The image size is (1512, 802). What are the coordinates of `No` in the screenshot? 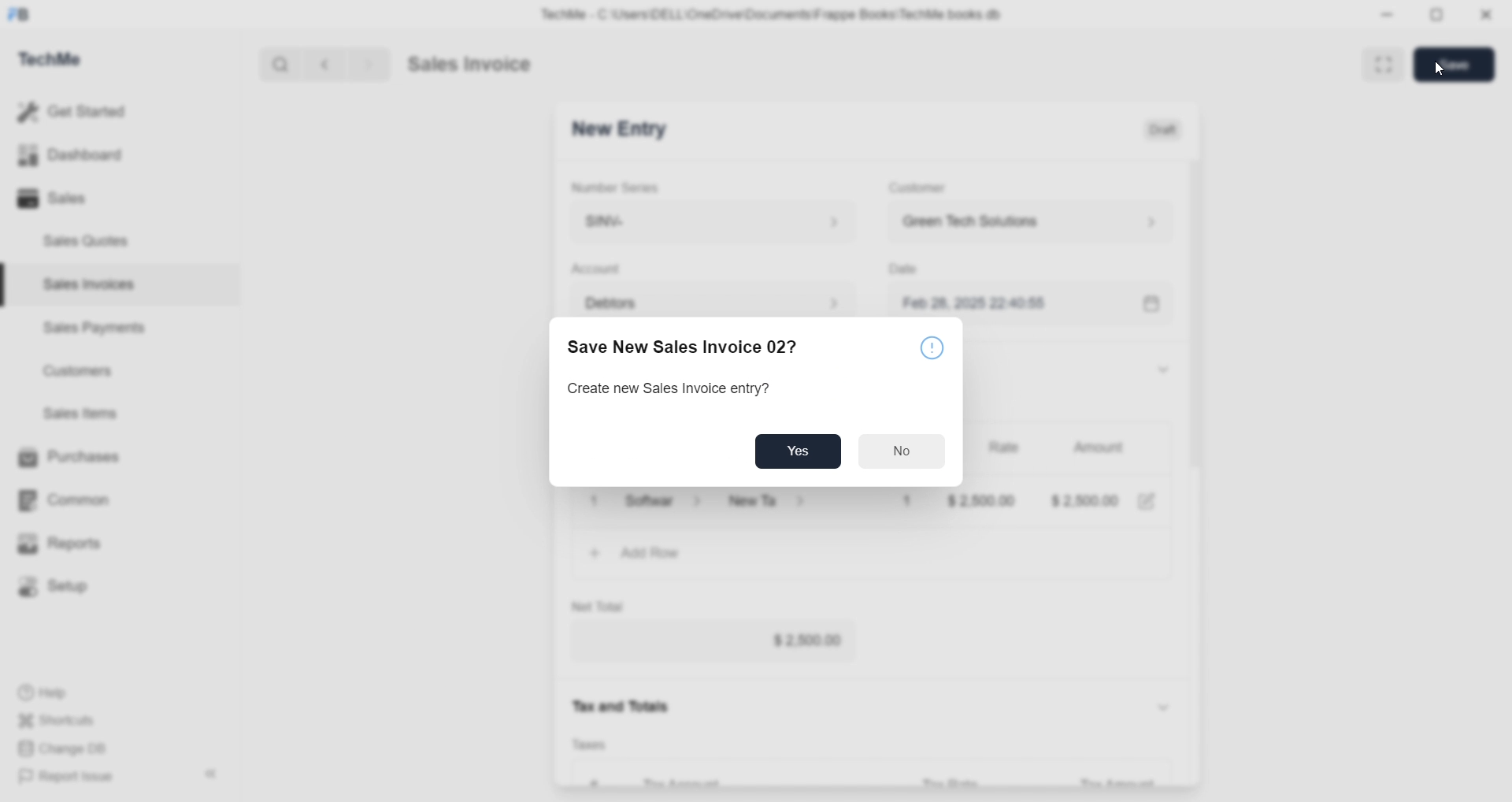 It's located at (899, 451).